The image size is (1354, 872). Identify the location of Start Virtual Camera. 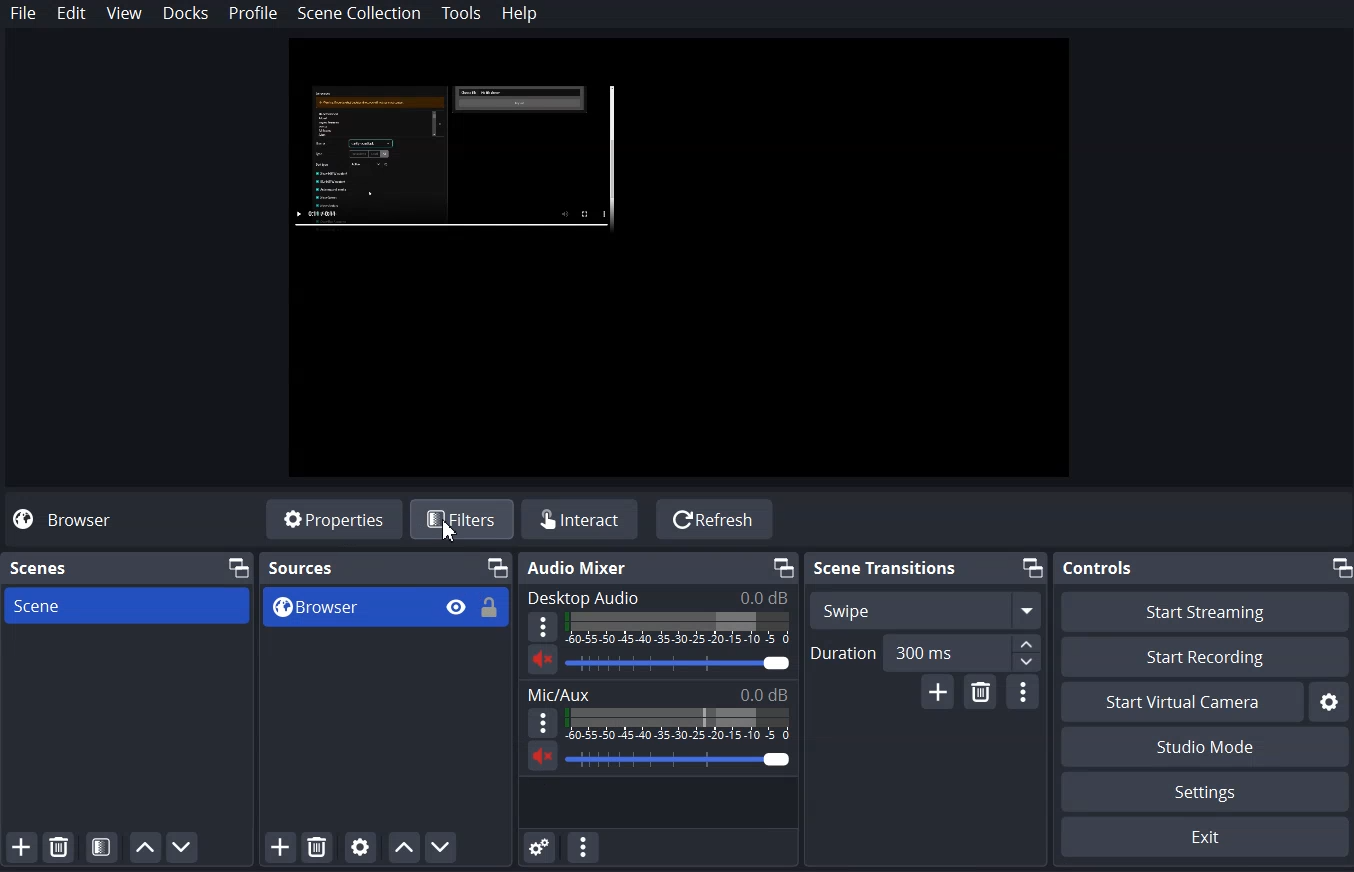
(1181, 701).